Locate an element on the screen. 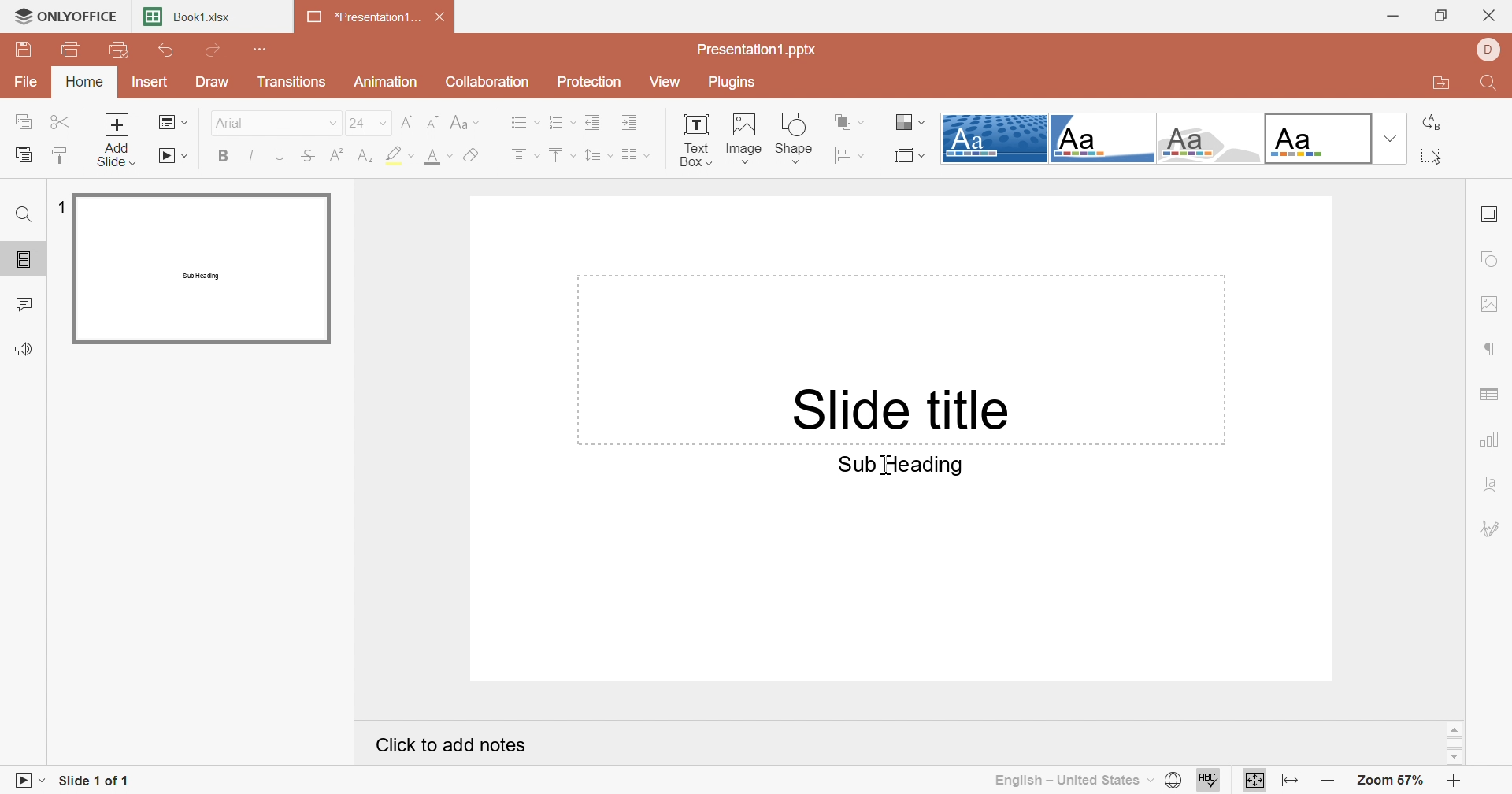 The height and width of the screenshot is (794, 1512). Protection is located at coordinates (593, 83).